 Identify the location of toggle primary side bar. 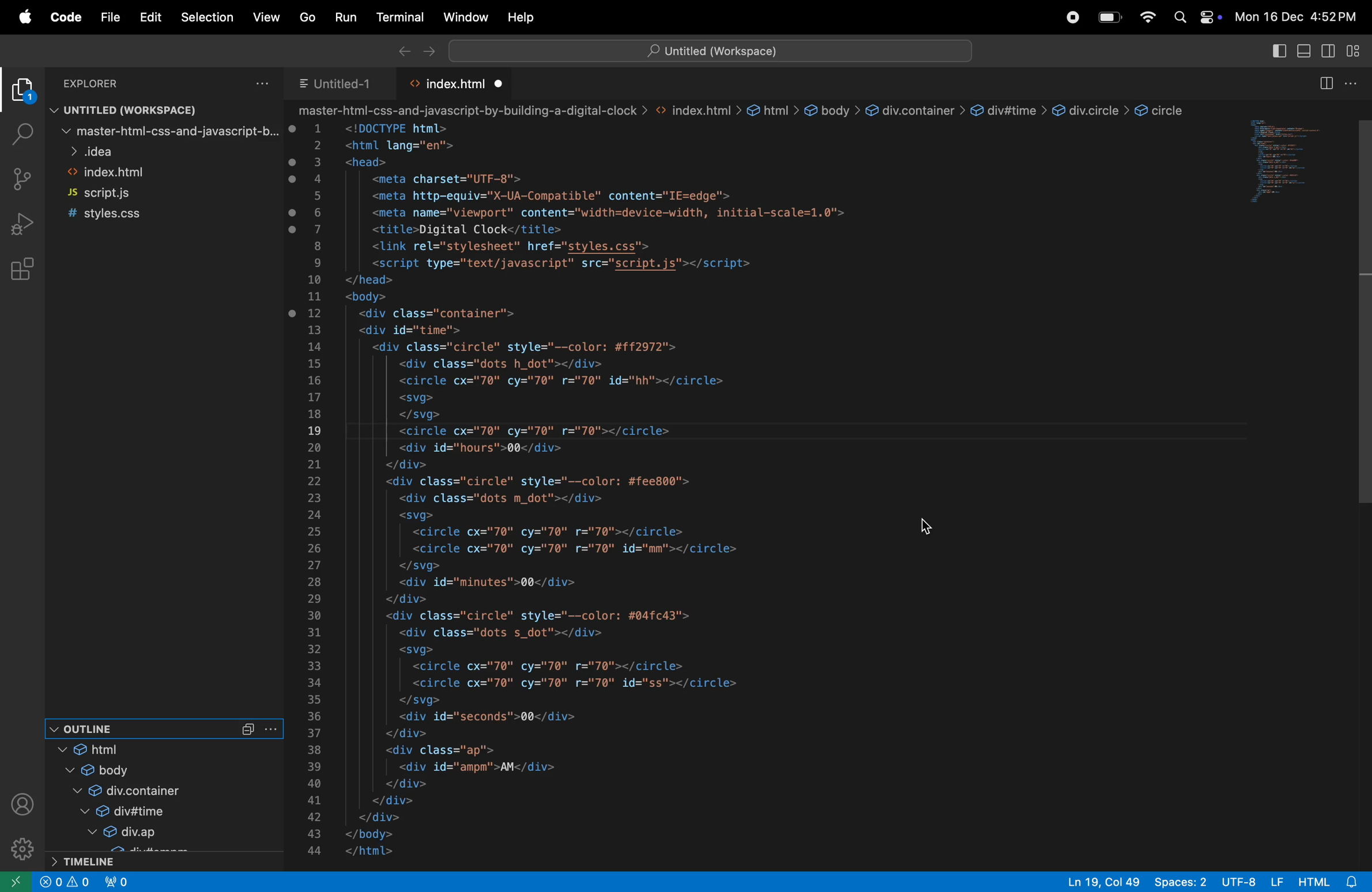
(1279, 52).